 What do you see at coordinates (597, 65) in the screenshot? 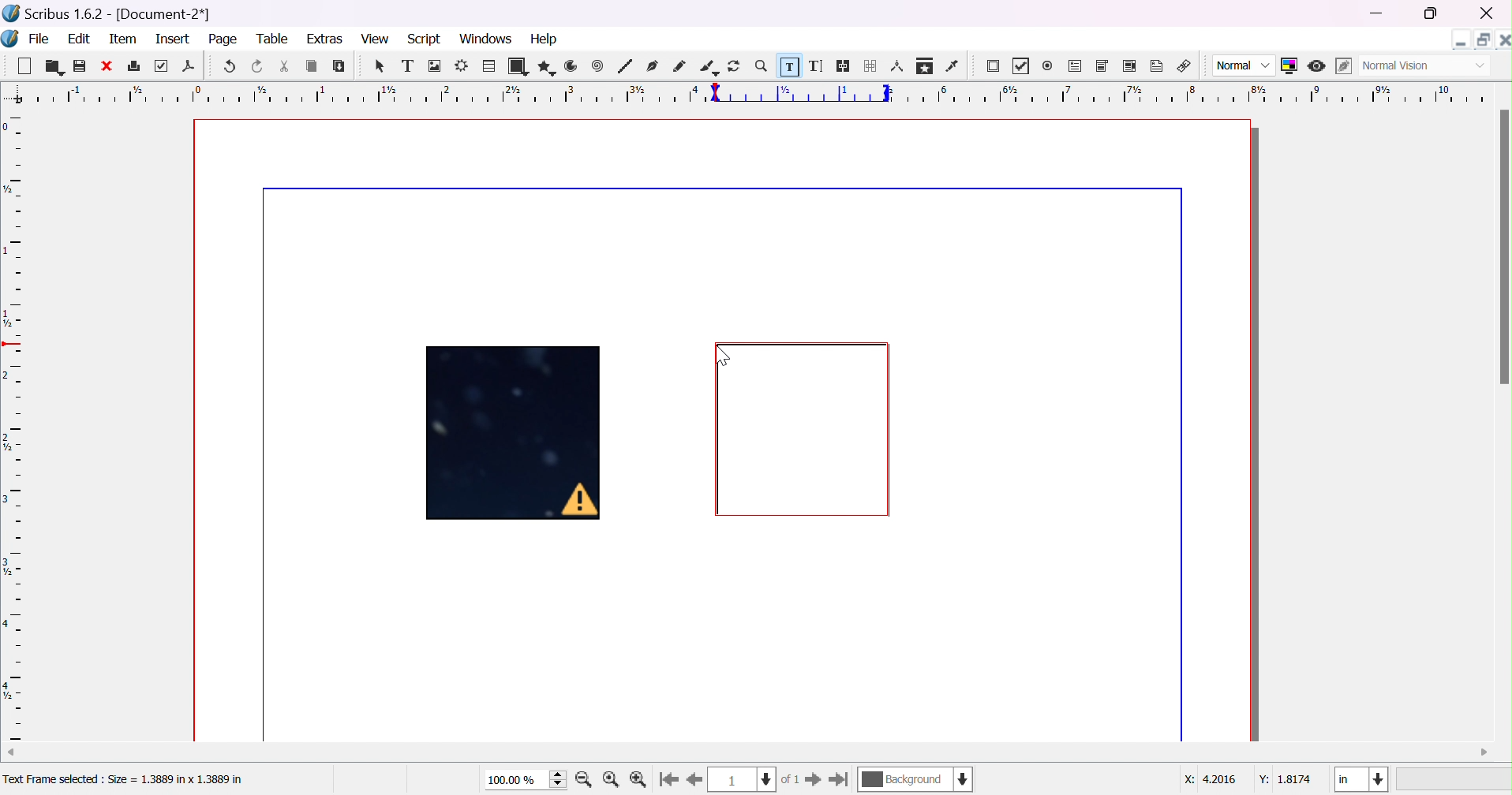
I see `spiral` at bounding box center [597, 65].